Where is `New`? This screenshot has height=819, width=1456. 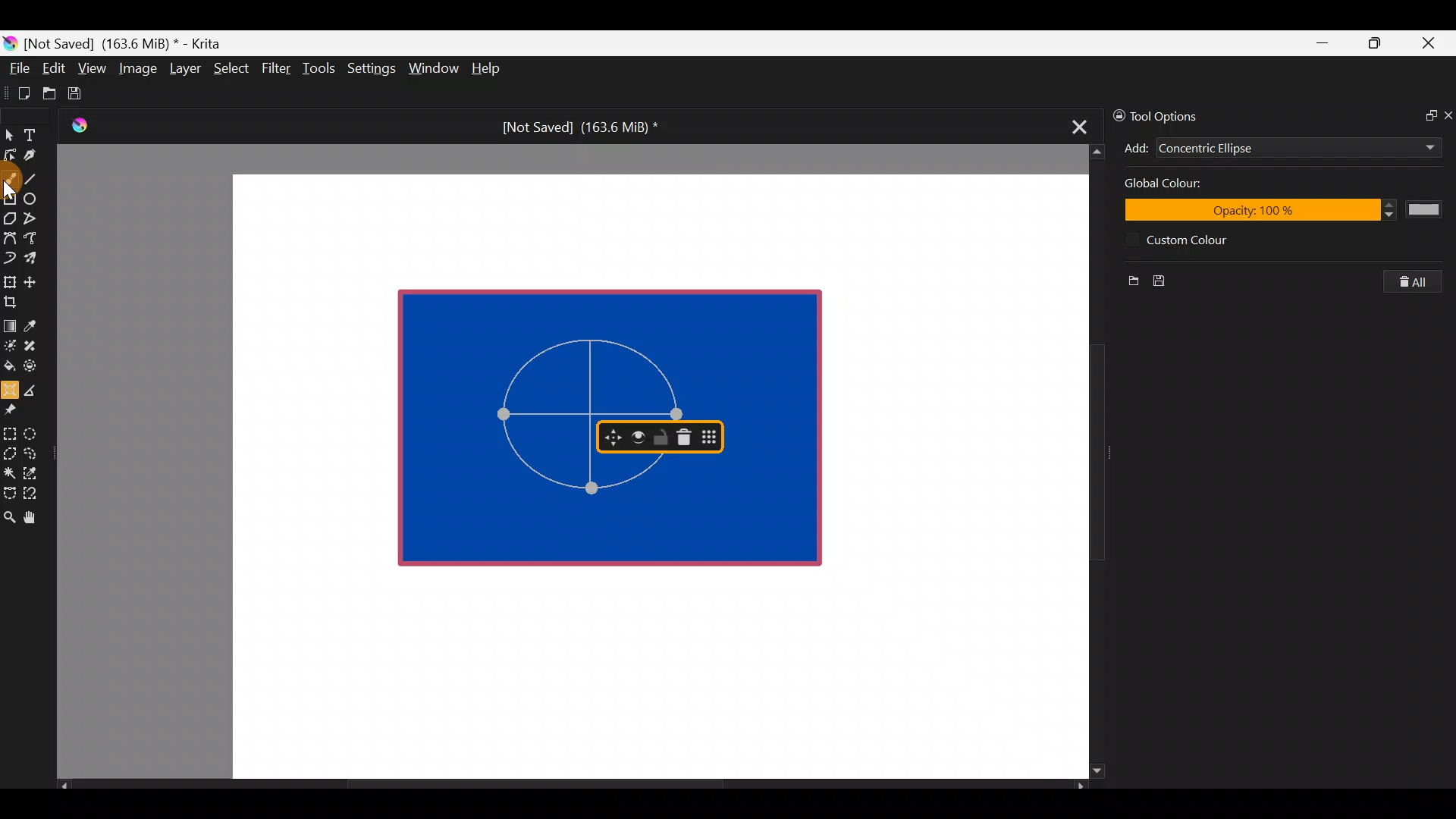 New is located at coordinates (1131, 279).